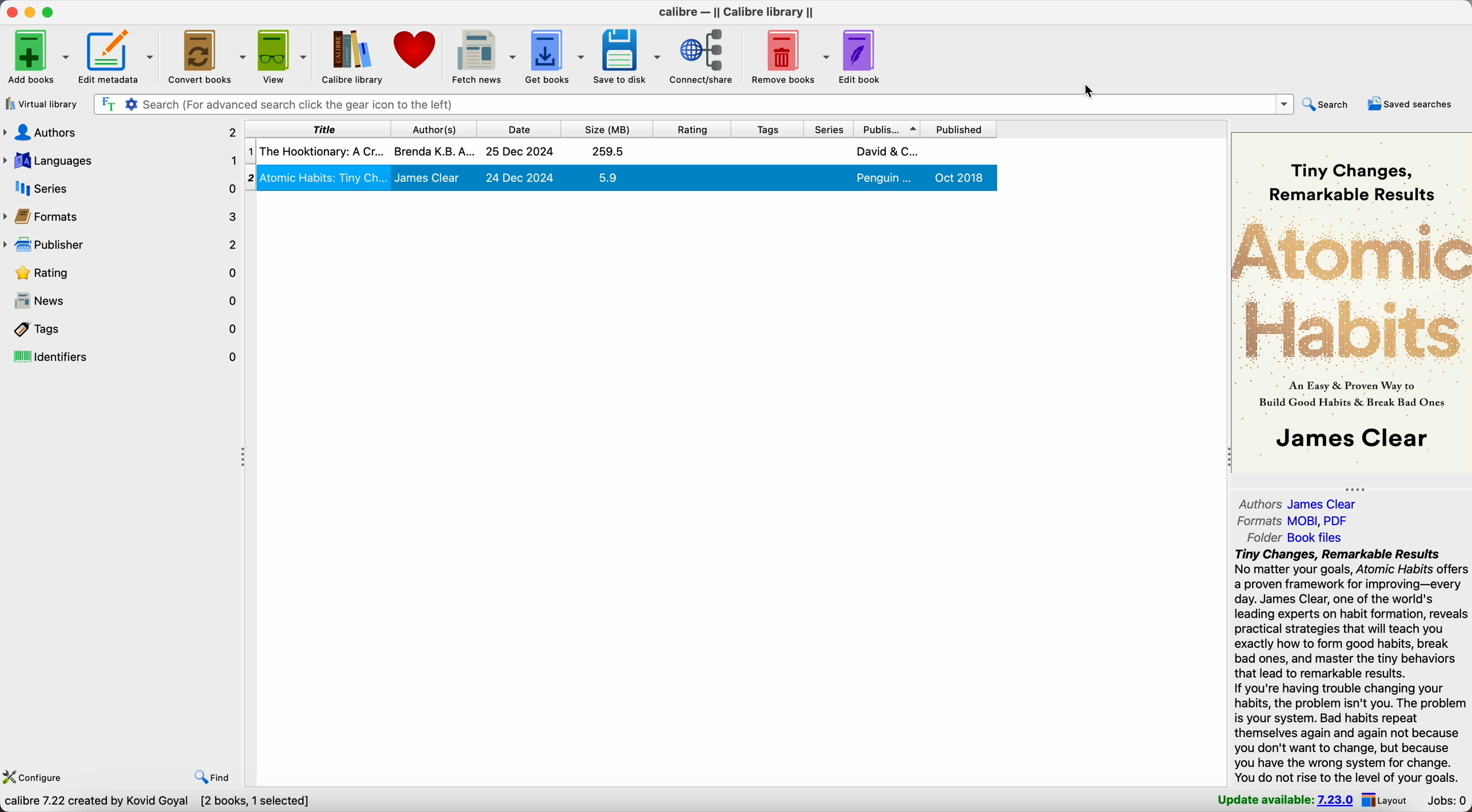  I want to click on series, so click(827, 128).